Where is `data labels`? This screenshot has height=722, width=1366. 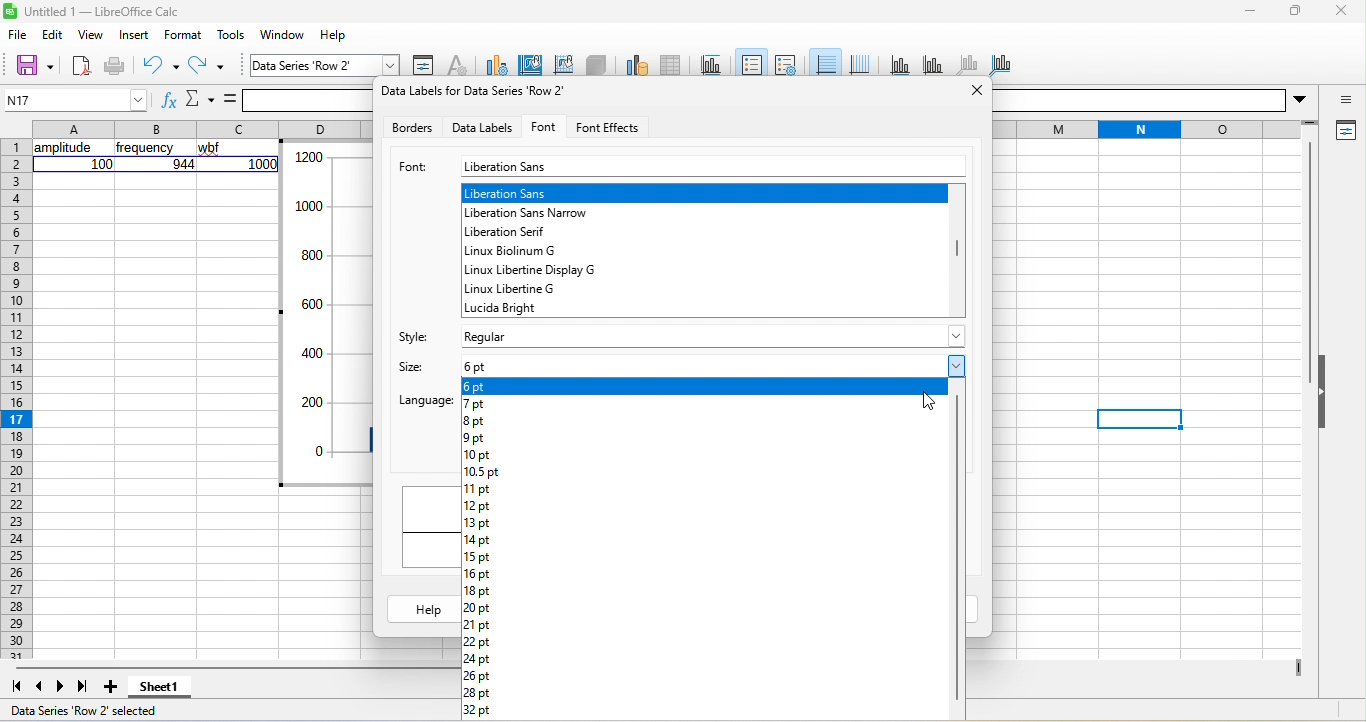 data labels is located at coordinates (480, 127).